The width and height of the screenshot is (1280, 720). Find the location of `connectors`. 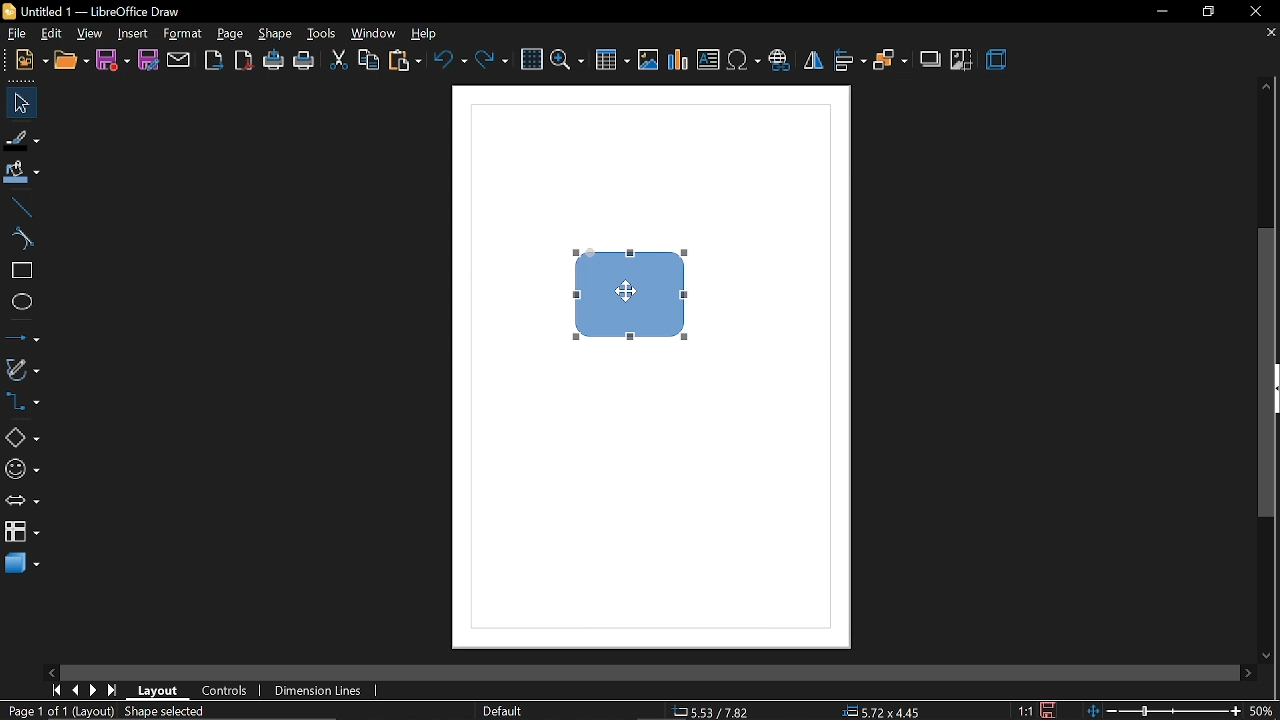

connectors is located at coordinates (22, 403).